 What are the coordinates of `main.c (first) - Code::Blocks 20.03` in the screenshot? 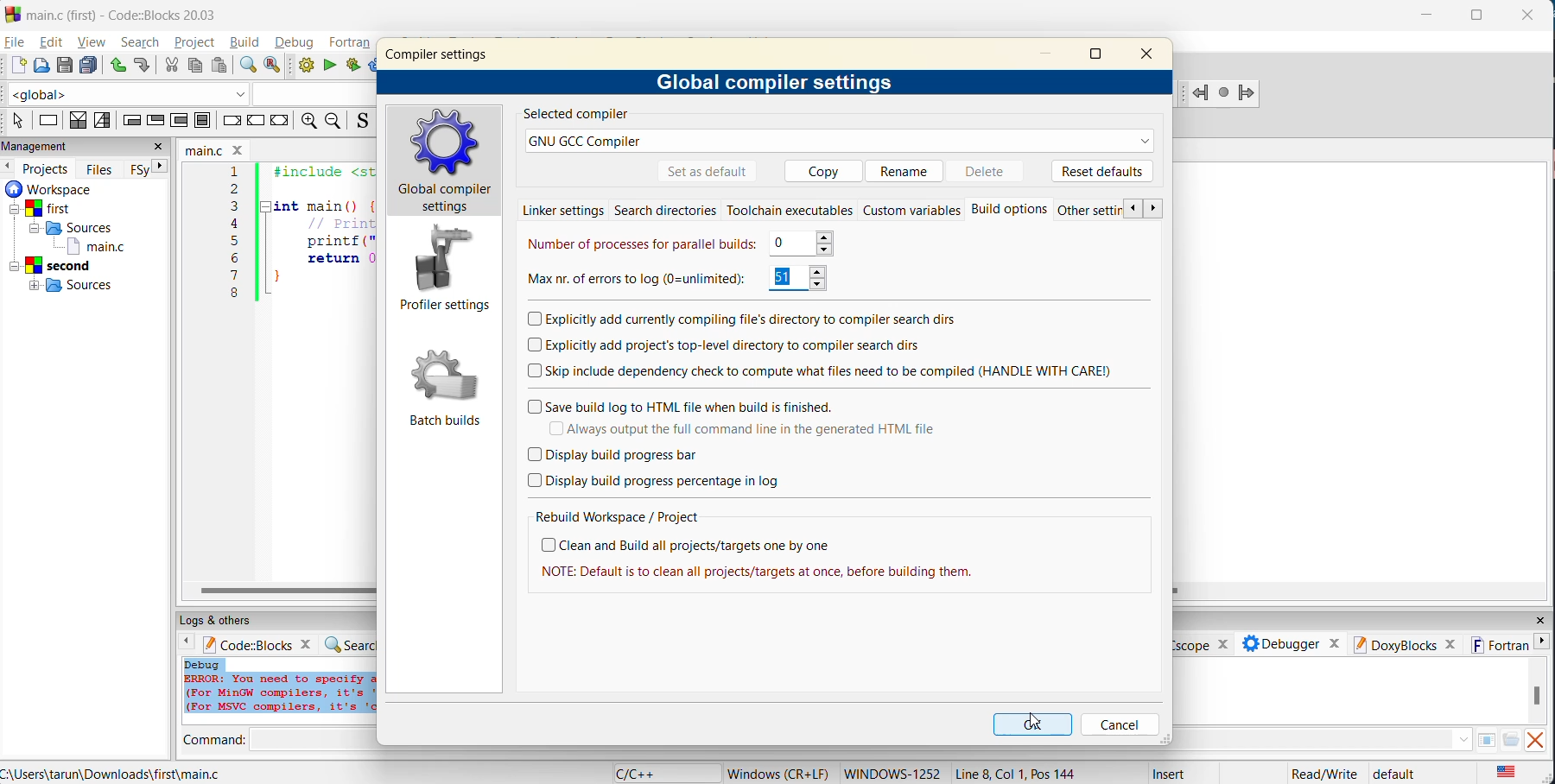 It's located at (116, 15).